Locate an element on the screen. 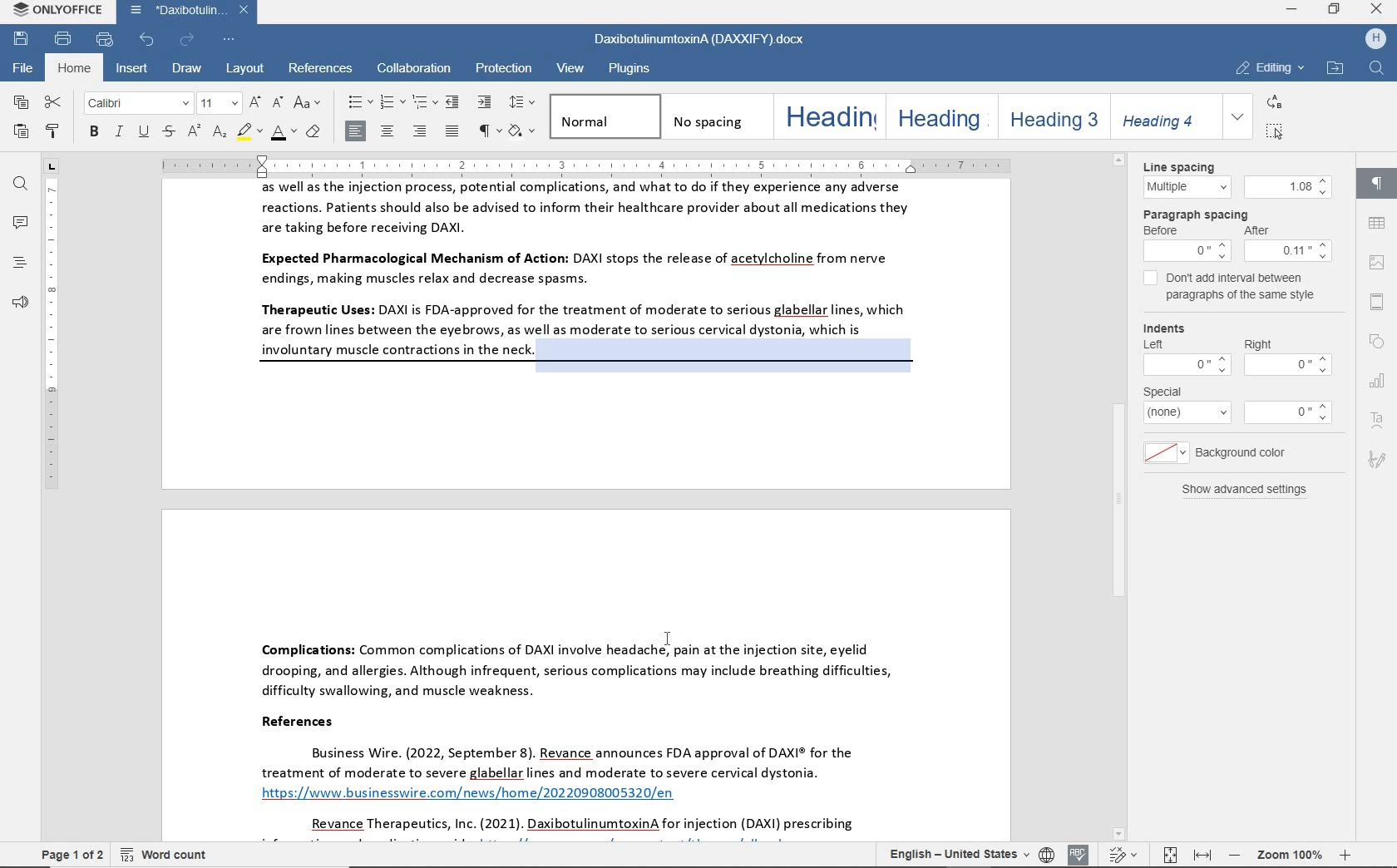 Image resolution: width=1397 pixels, height=868 pixels. decrement font size is located at coordinates (276, 101).